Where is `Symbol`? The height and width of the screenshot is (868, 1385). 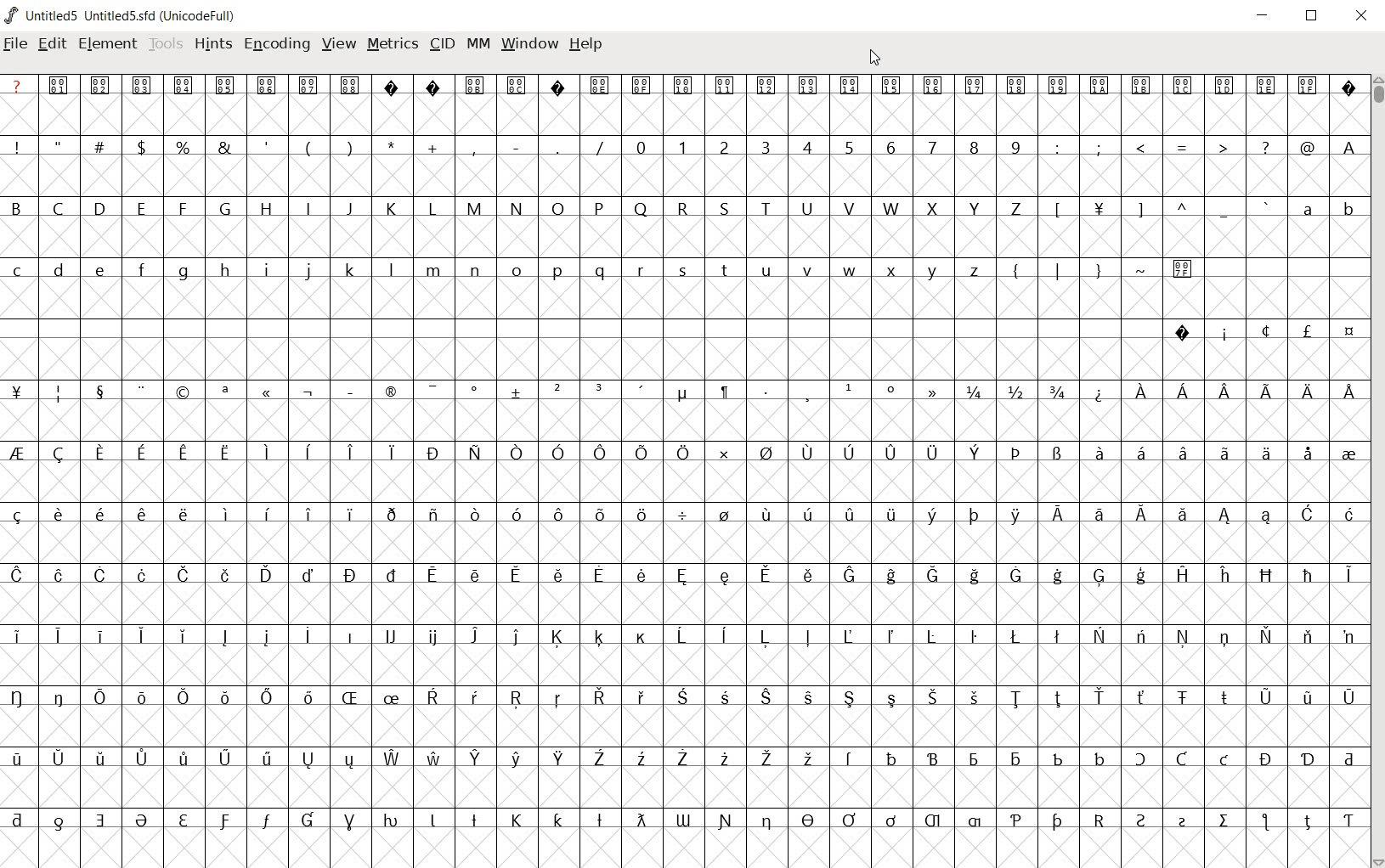 Symbol is located at coordinates (684, 820).